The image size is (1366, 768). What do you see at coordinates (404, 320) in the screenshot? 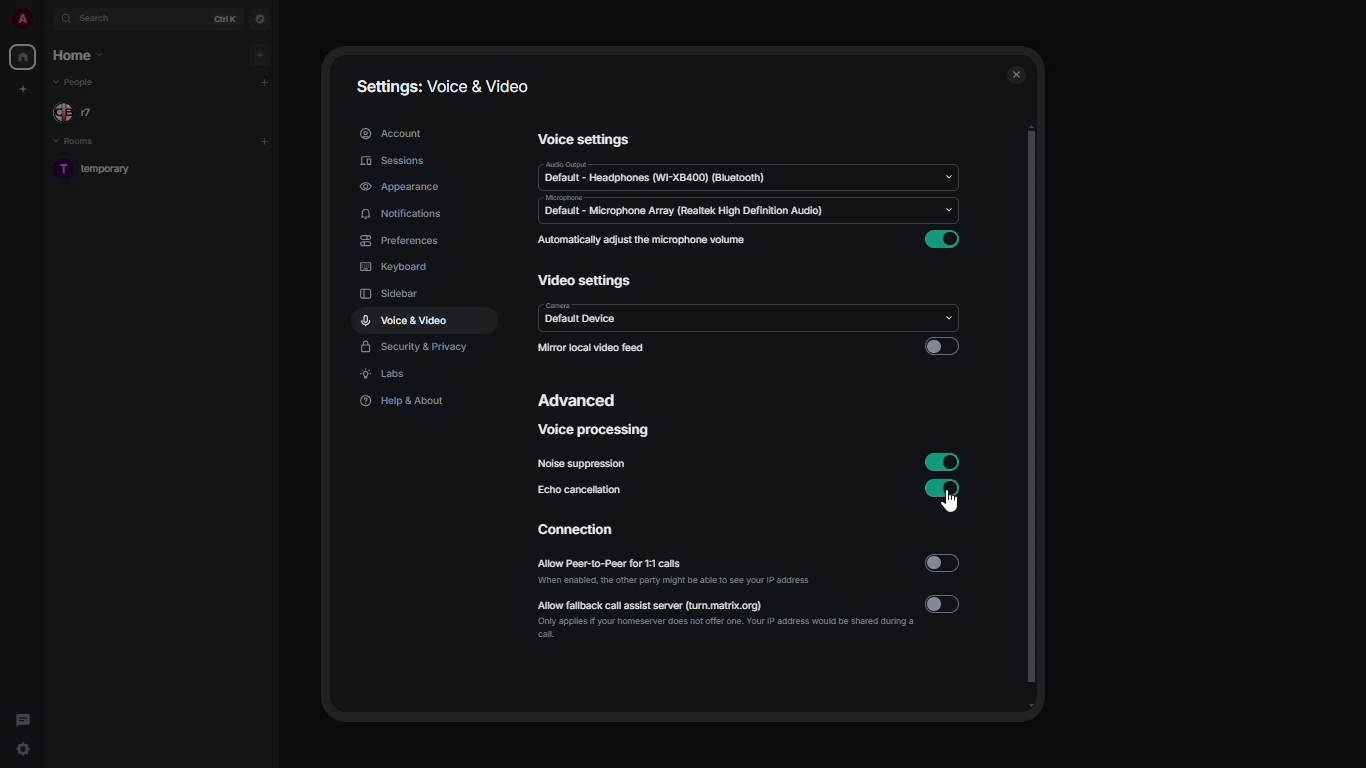
I see `voice & video` at bounding box center [404, 320].